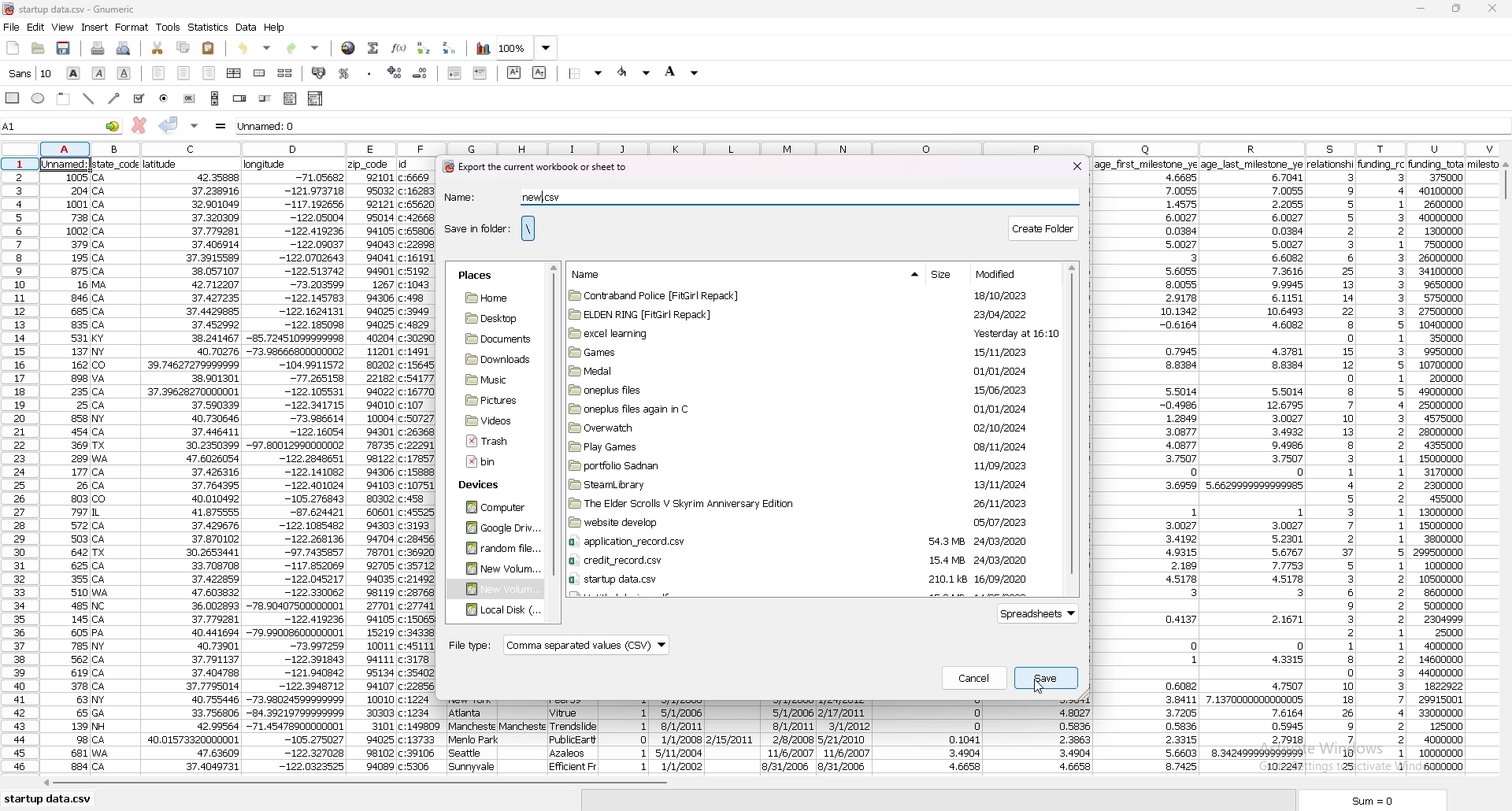 The height and width of the screenshot is (811, 1512). What do you see at coordinates (234, 73) in the screenshot?
I see `centre horizontally` at bounding box center [234, 73].